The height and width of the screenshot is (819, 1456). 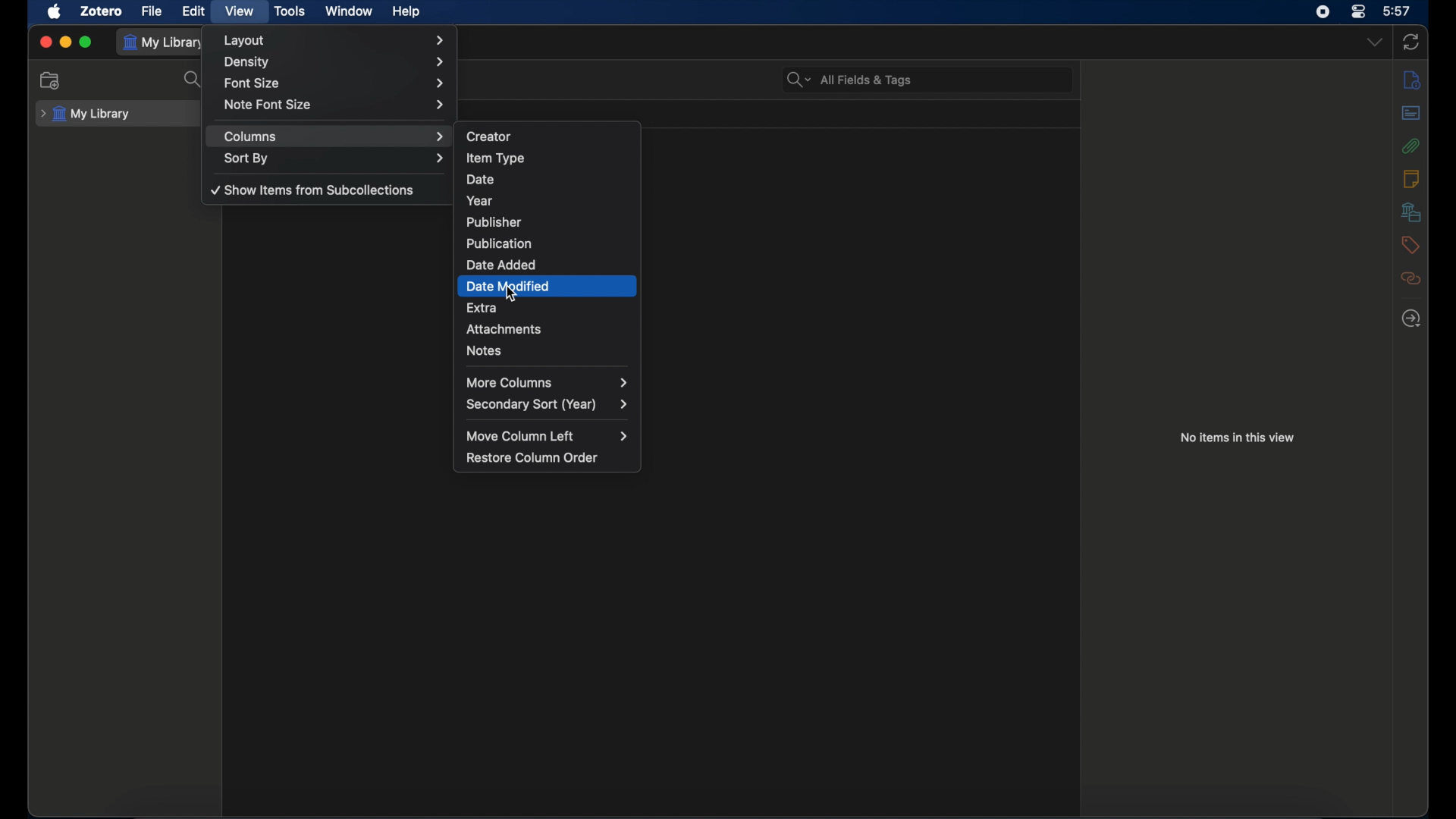 I want to click on item type, so click(x=549, y=158).